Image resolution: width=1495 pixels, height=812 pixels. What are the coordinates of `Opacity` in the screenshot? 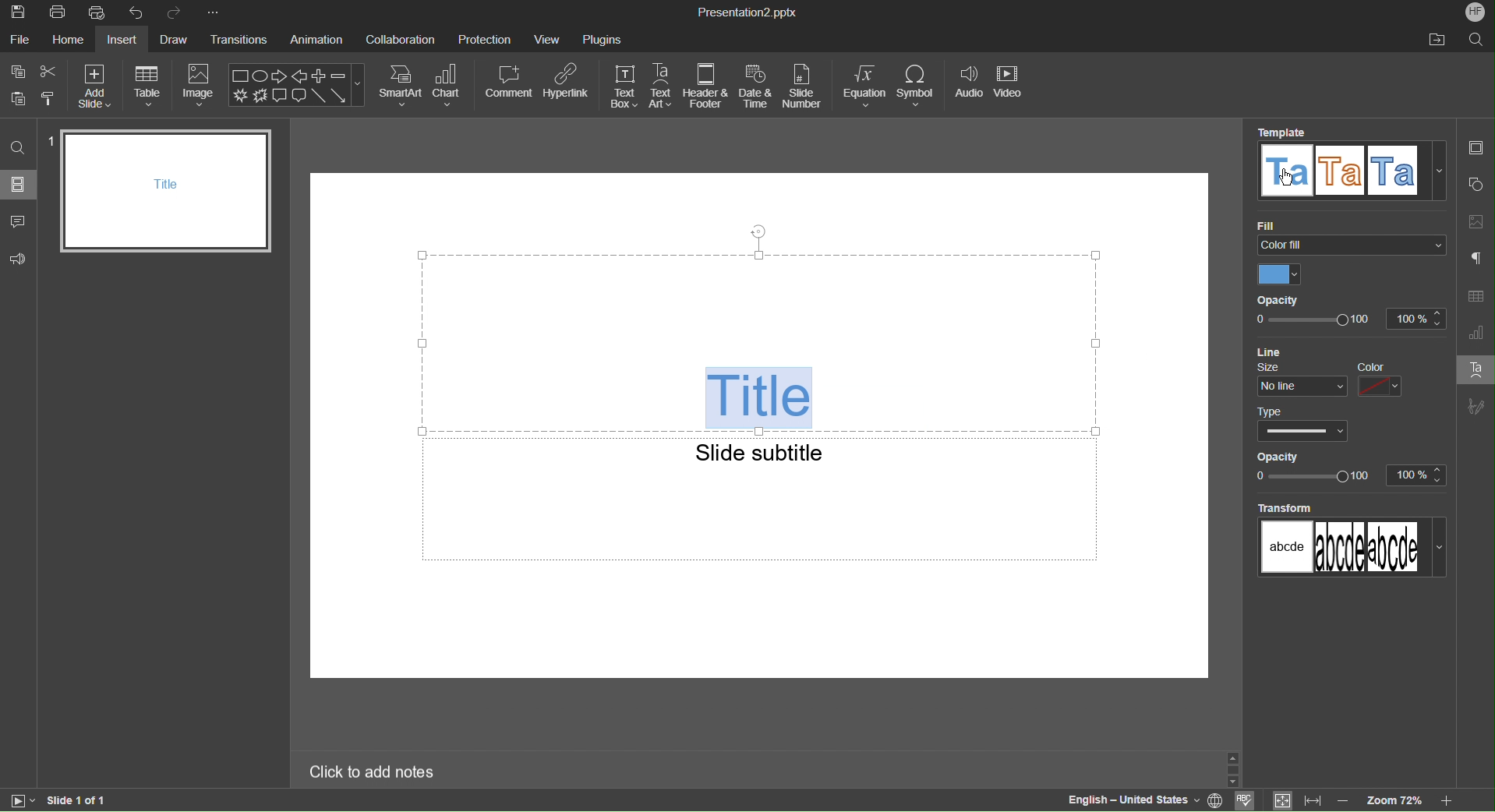 It's located at (1347, 314).